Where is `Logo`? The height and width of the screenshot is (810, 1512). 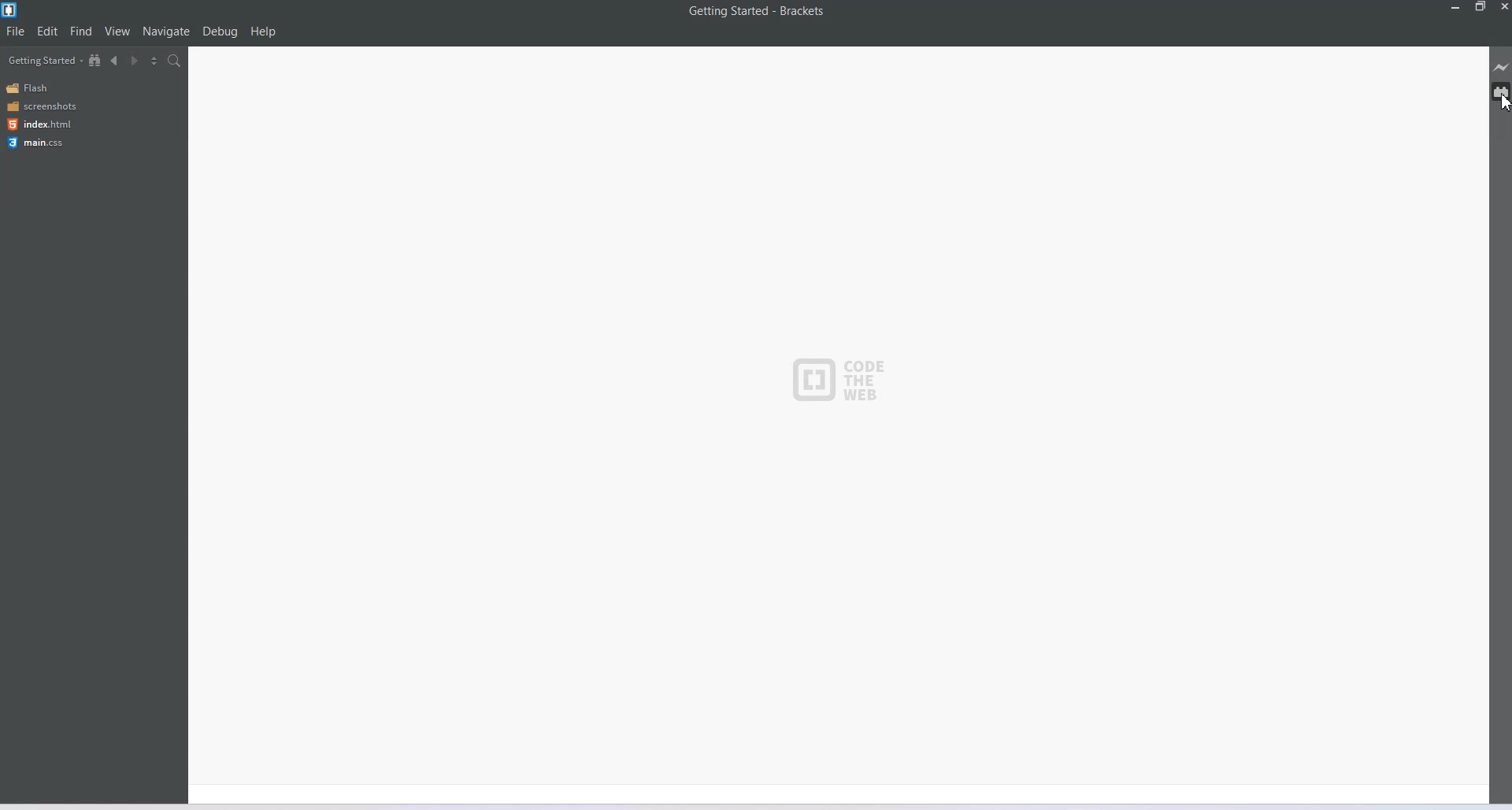
Logo is located at coordinates (840, 377).